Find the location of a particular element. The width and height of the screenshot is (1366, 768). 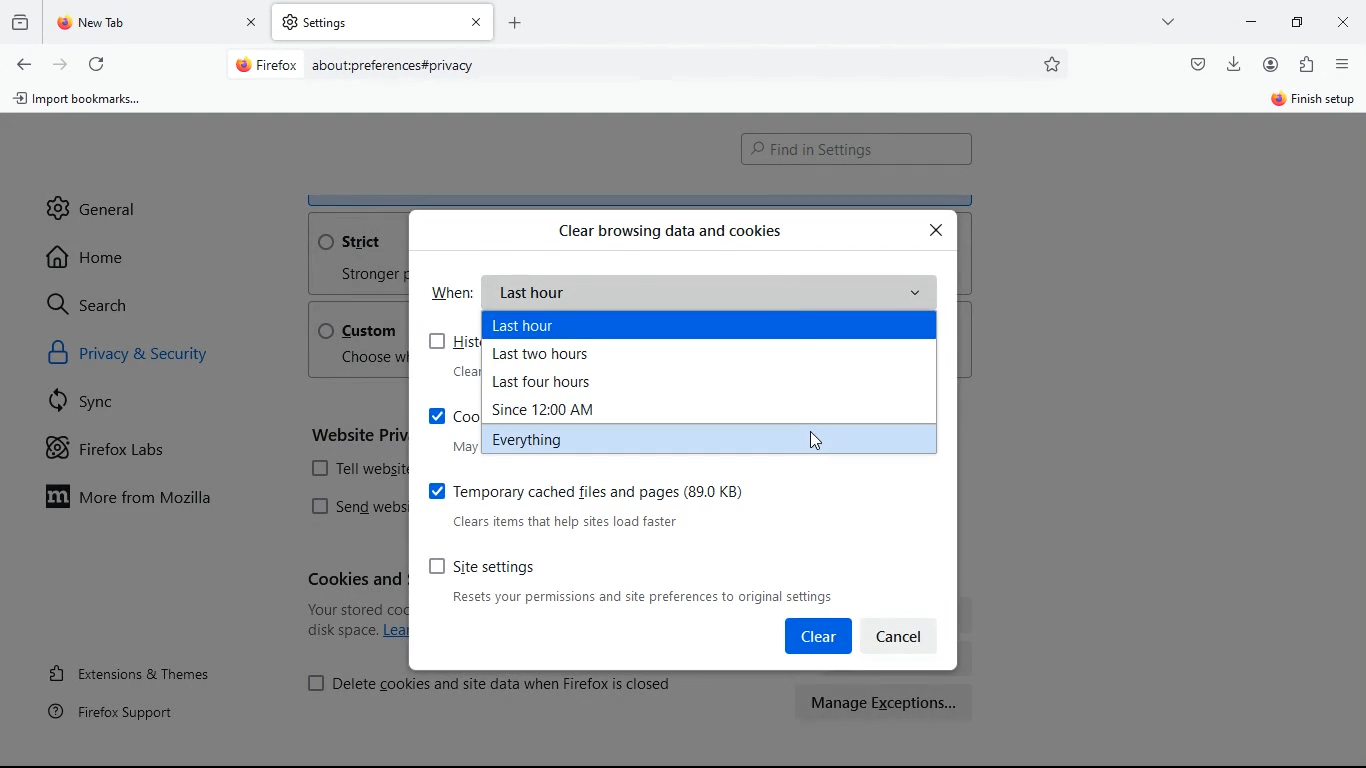

about:preferences#privacy is located at coordinates (394, 66).